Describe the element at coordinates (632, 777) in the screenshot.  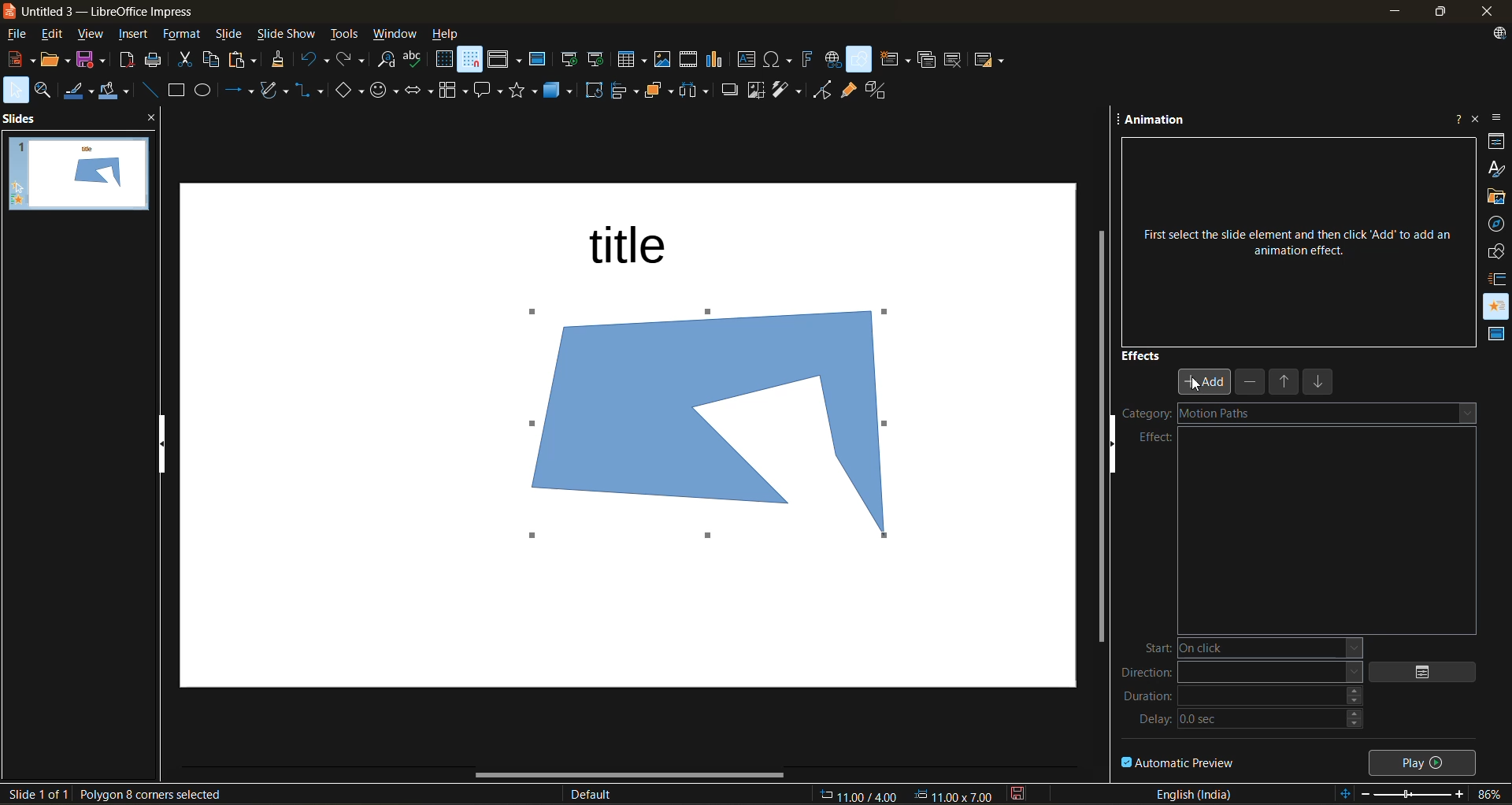
I see `horizontal scroll bar` at that location.